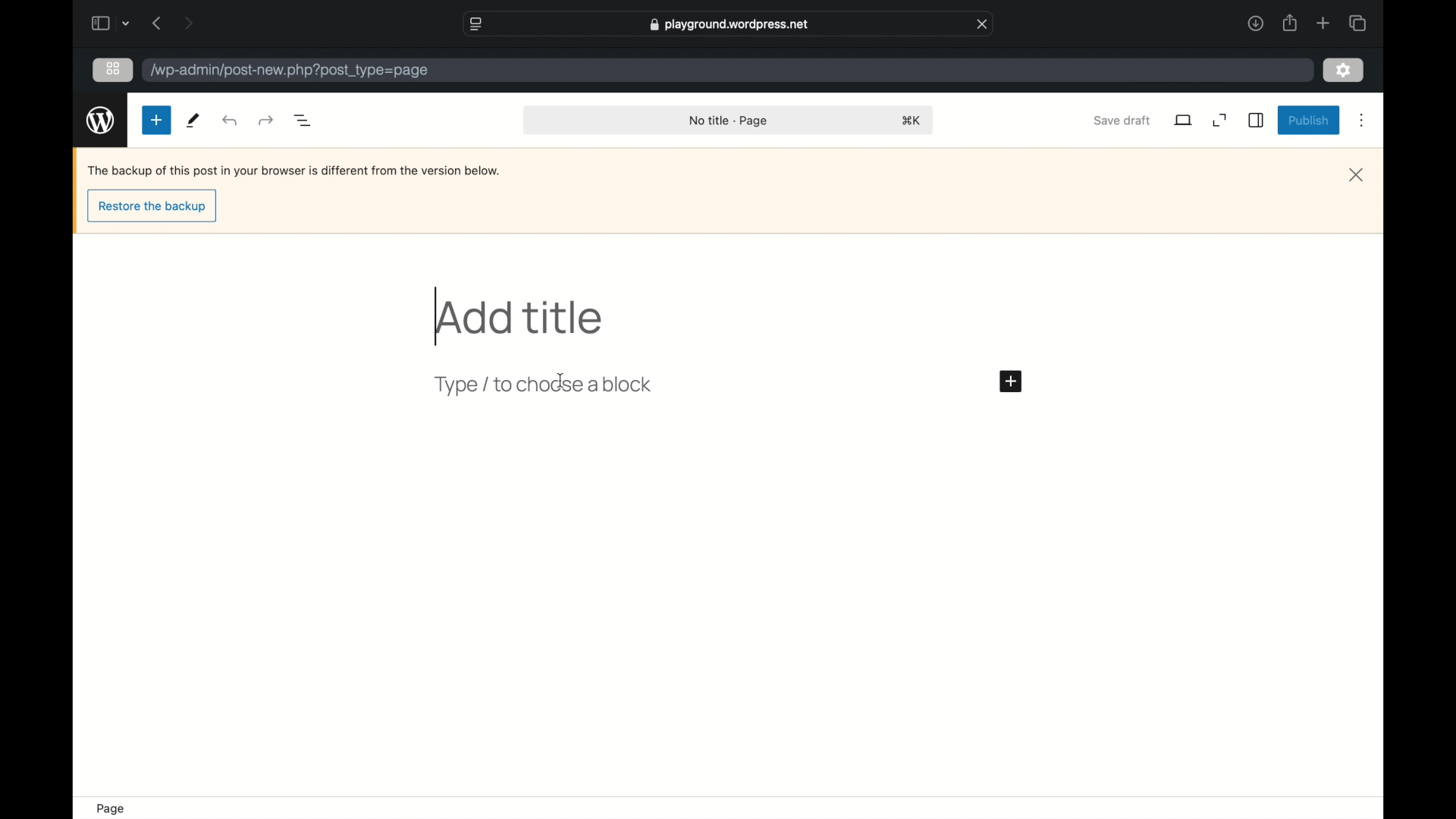 The height and width of the screenshot is (819, 1456). What do you see at coordinates (296, 171) in the screenshot?
I see `Backup notification` at bounding box center [296, 171].